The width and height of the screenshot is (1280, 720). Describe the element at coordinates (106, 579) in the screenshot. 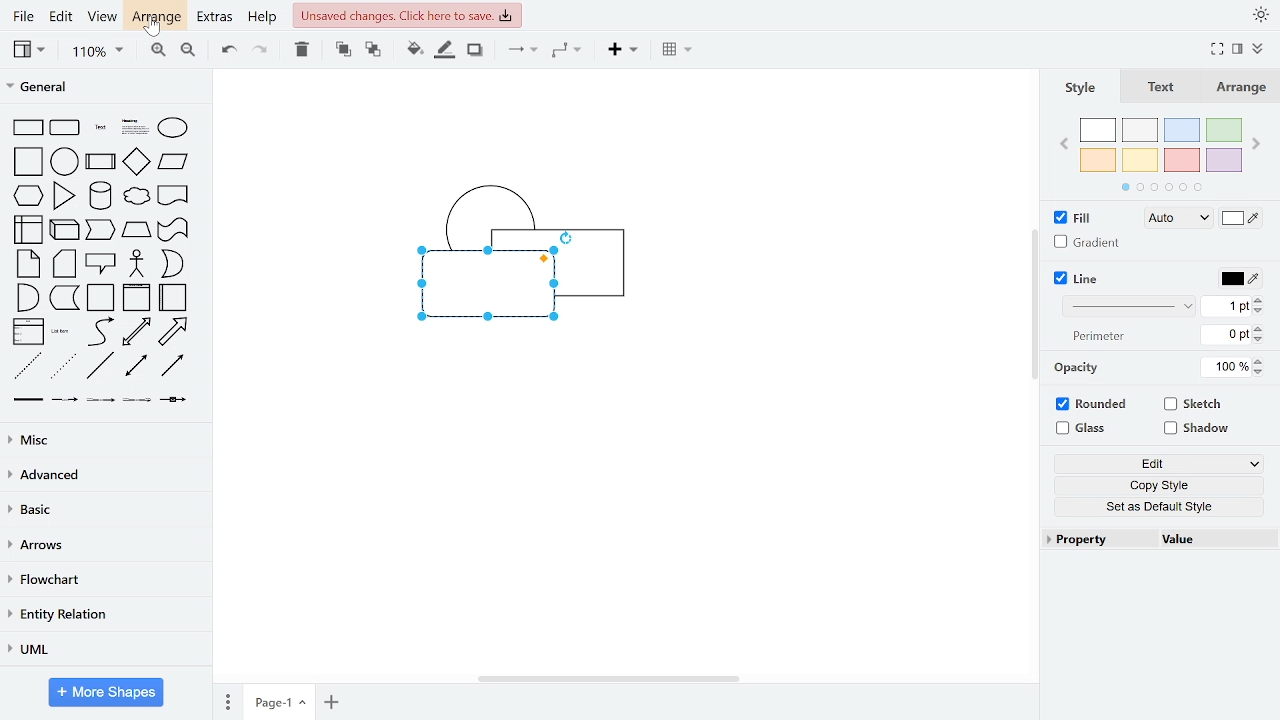

I see `flowchart` at that location.